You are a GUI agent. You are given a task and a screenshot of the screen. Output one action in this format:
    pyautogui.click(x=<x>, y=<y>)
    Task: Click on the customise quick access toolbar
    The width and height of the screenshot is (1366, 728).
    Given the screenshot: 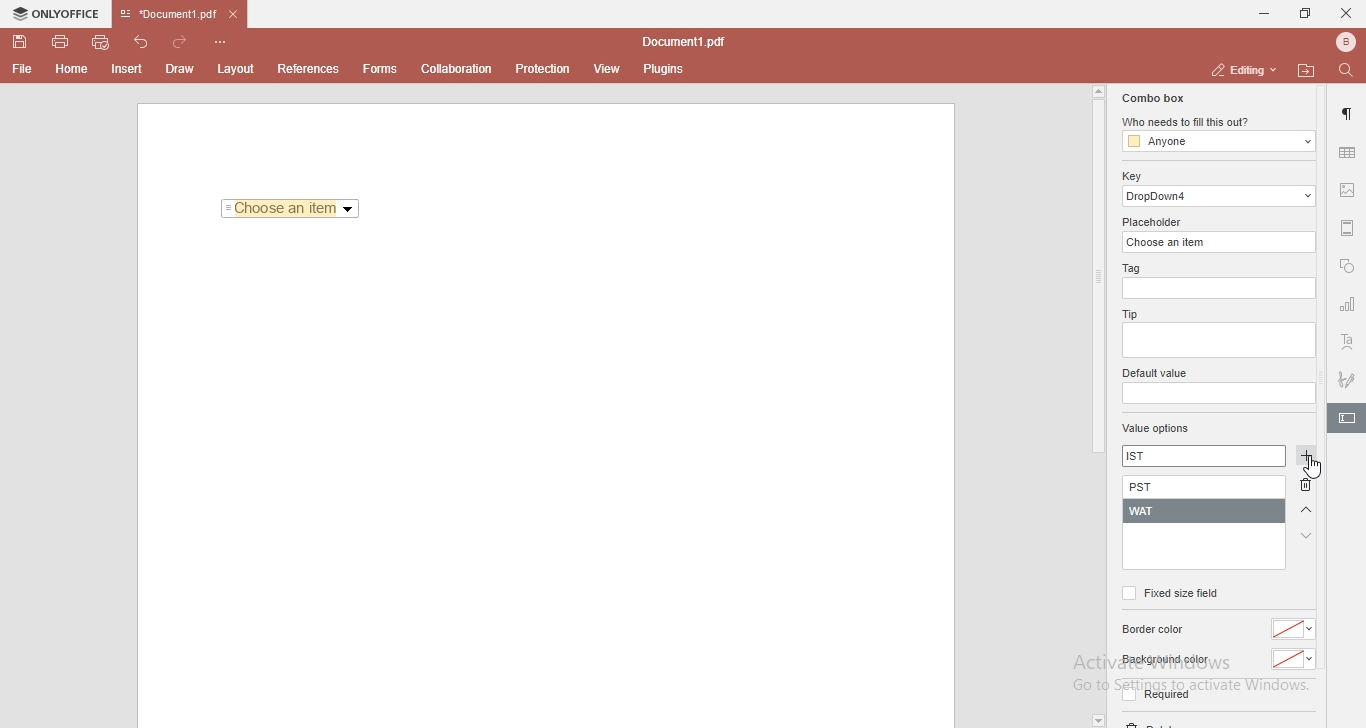 What is the action you would take?
    pyautogui.click(x=224, y=41)
    